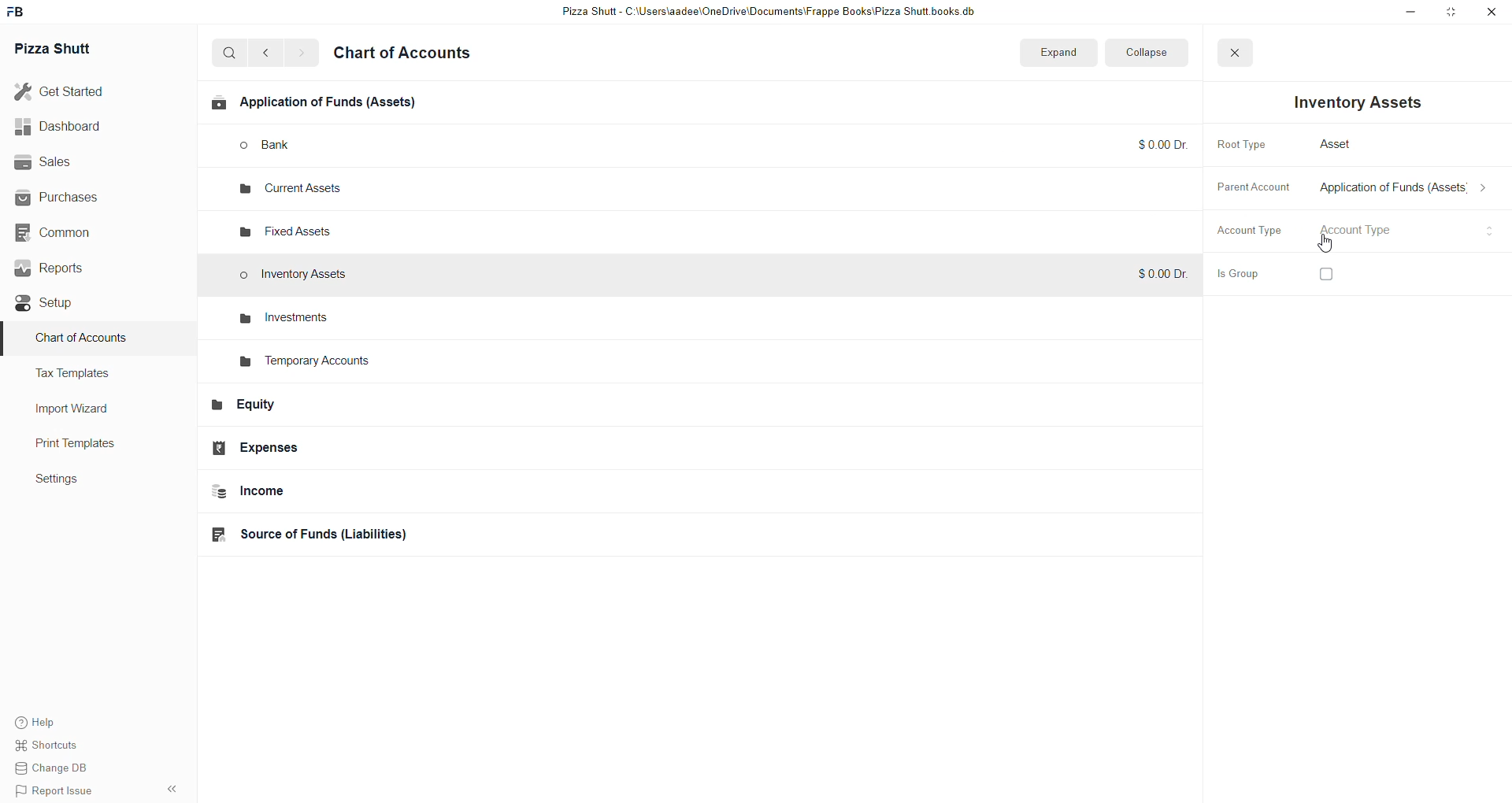  I want to click on Pizza Shutt, so click(73, 51).